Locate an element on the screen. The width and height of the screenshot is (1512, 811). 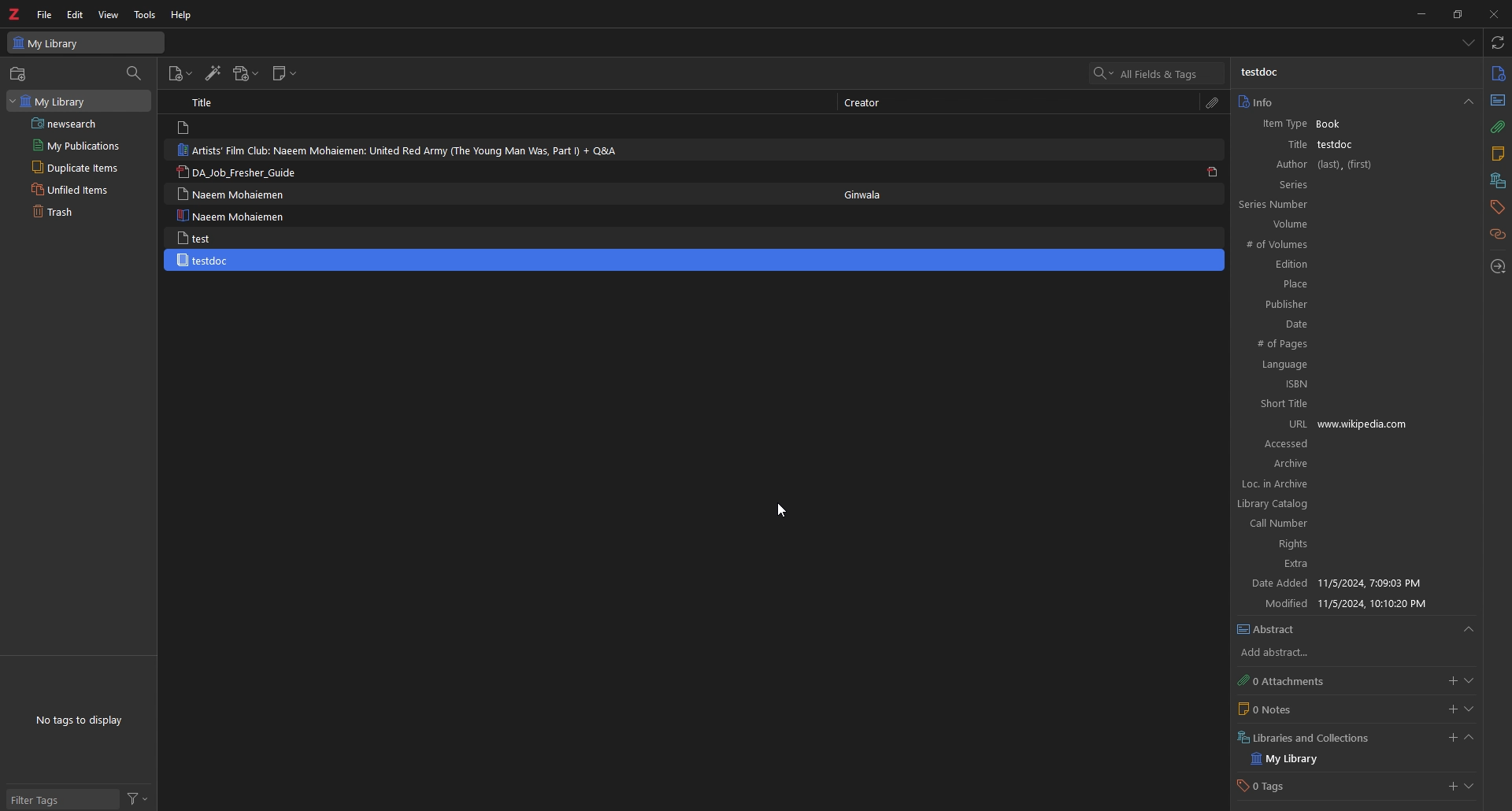
add libraries and collections is located at coordinates (1450, 739).